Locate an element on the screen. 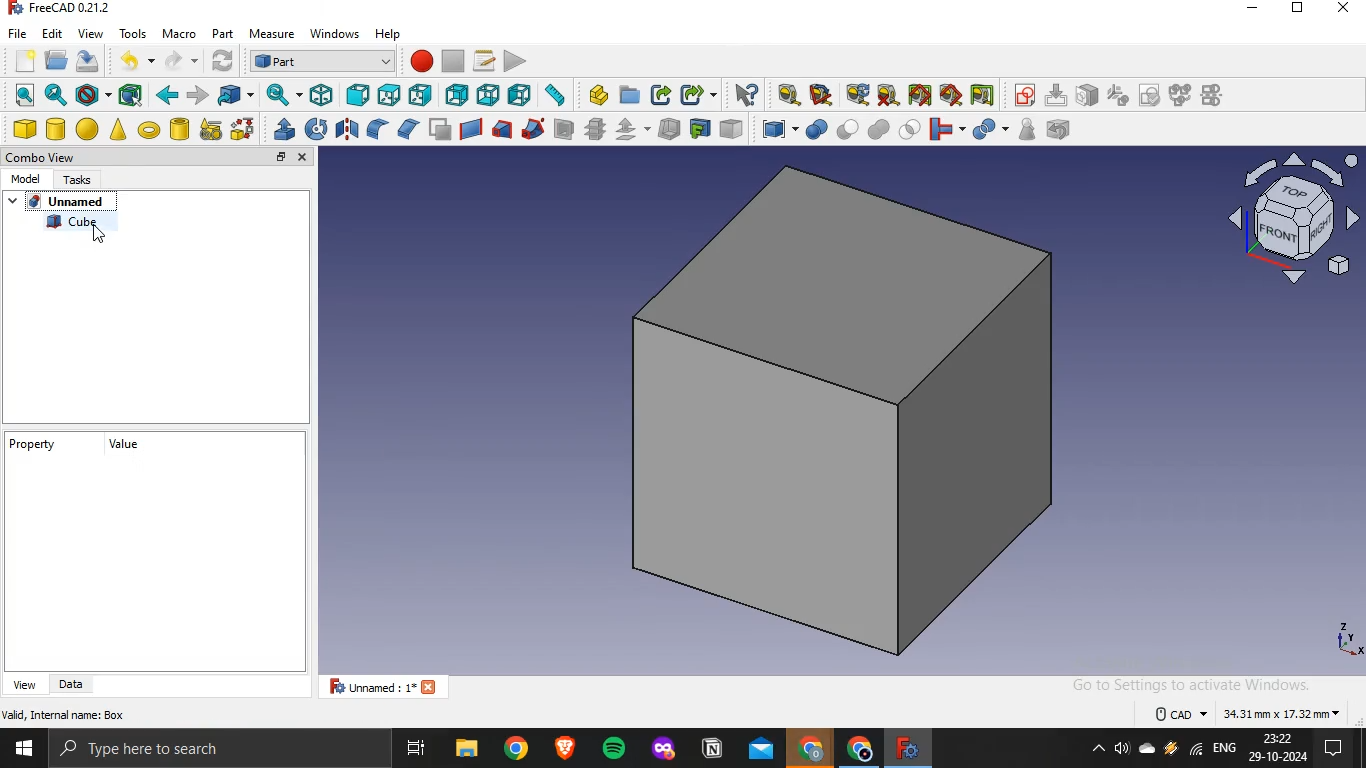  boolean is located at coordinates (816, 129).